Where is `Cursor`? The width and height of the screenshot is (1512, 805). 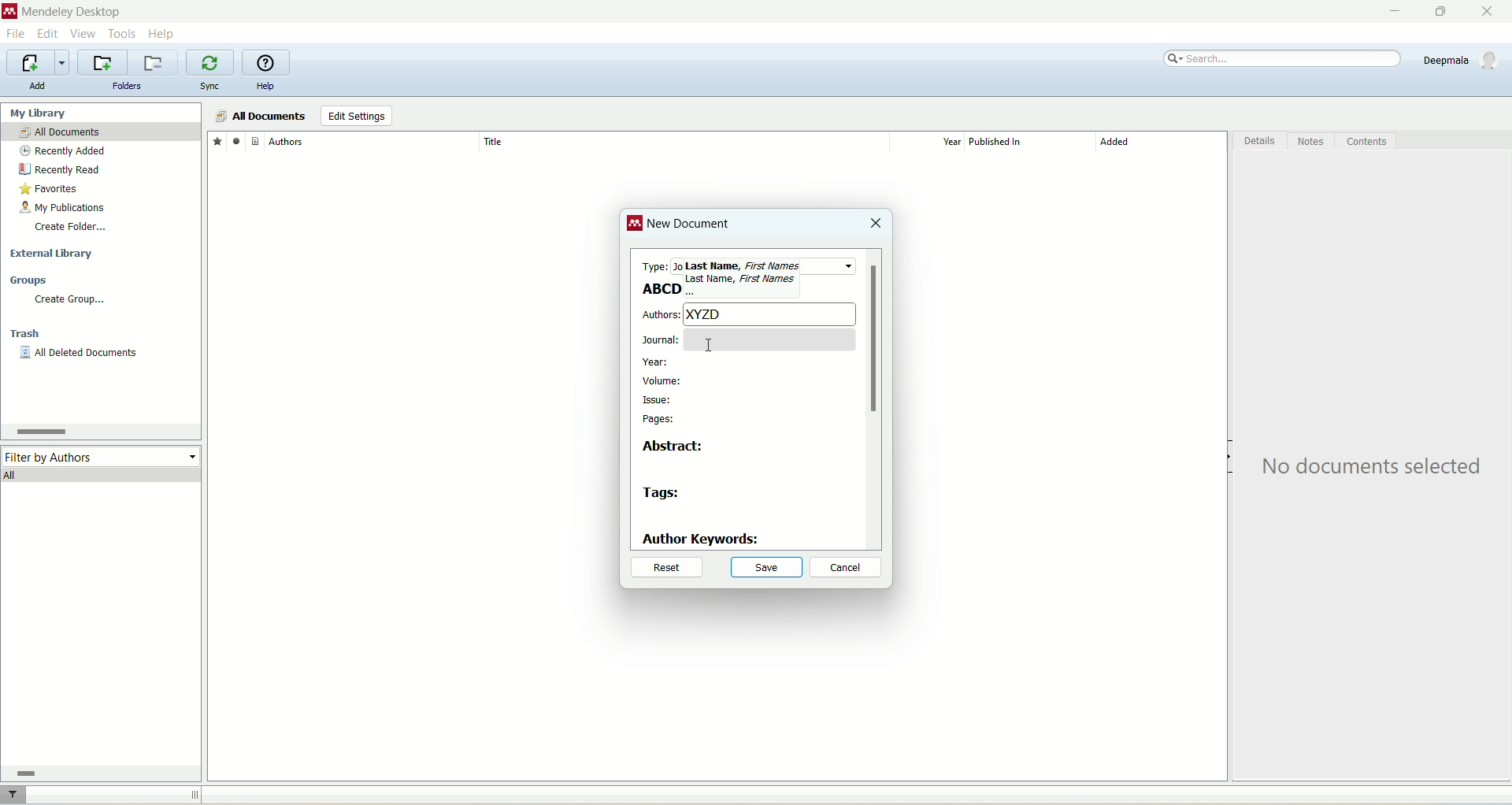
Cursor is located at coordinates (713, 346).